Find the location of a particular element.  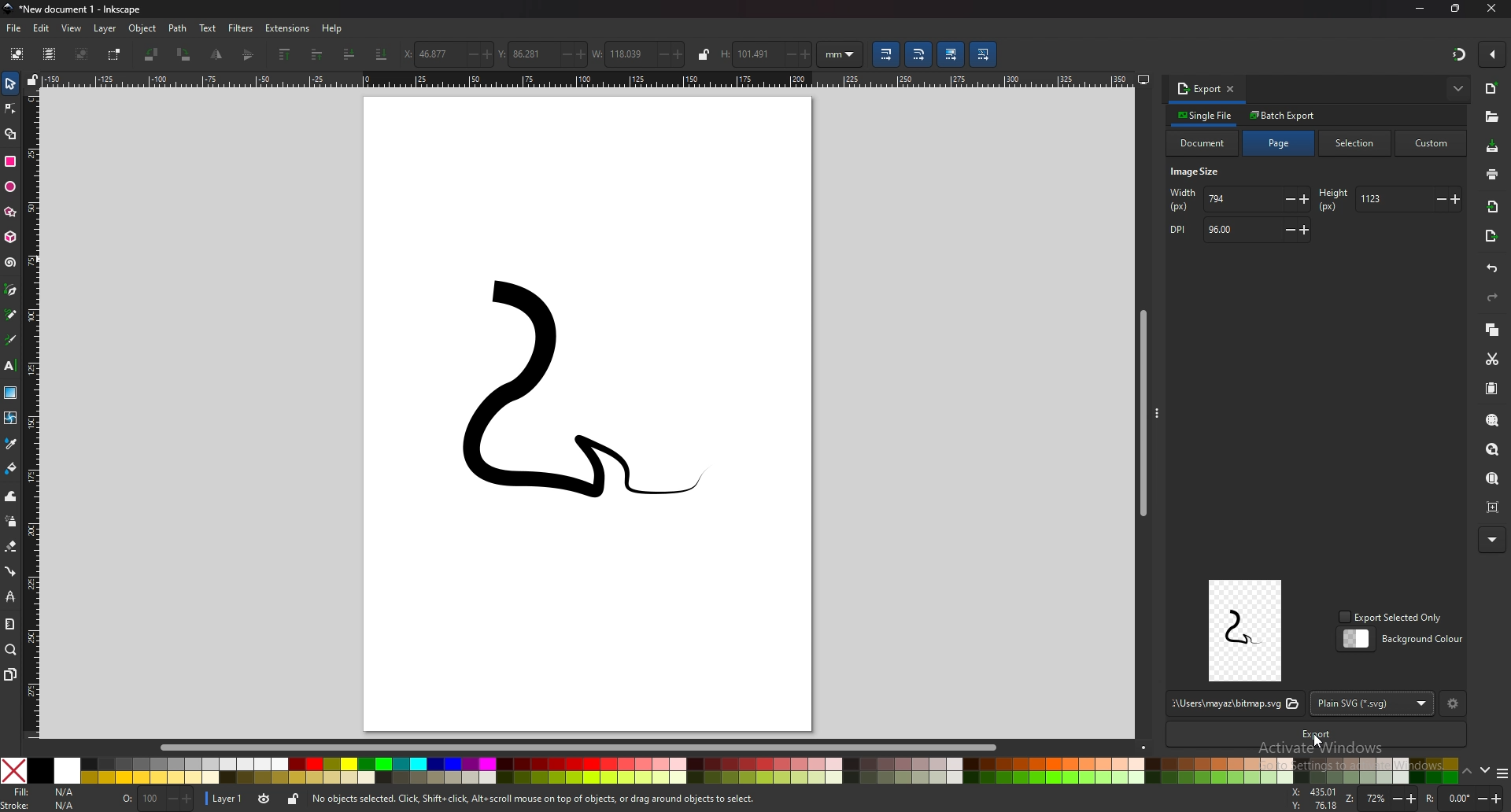

height is located at coordinates (767, 54).